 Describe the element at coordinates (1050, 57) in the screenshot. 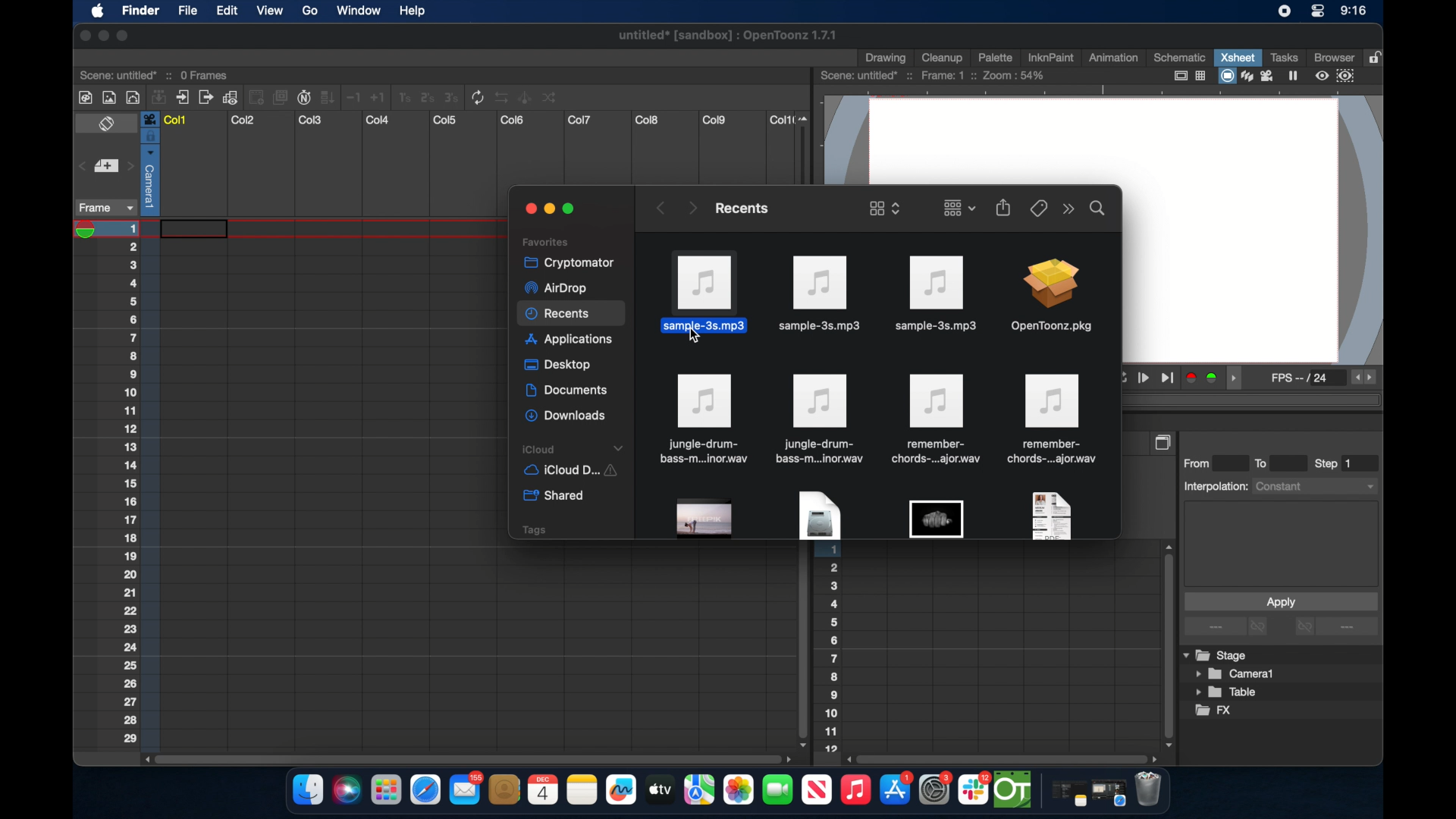

I see `inknpaint` at that location.